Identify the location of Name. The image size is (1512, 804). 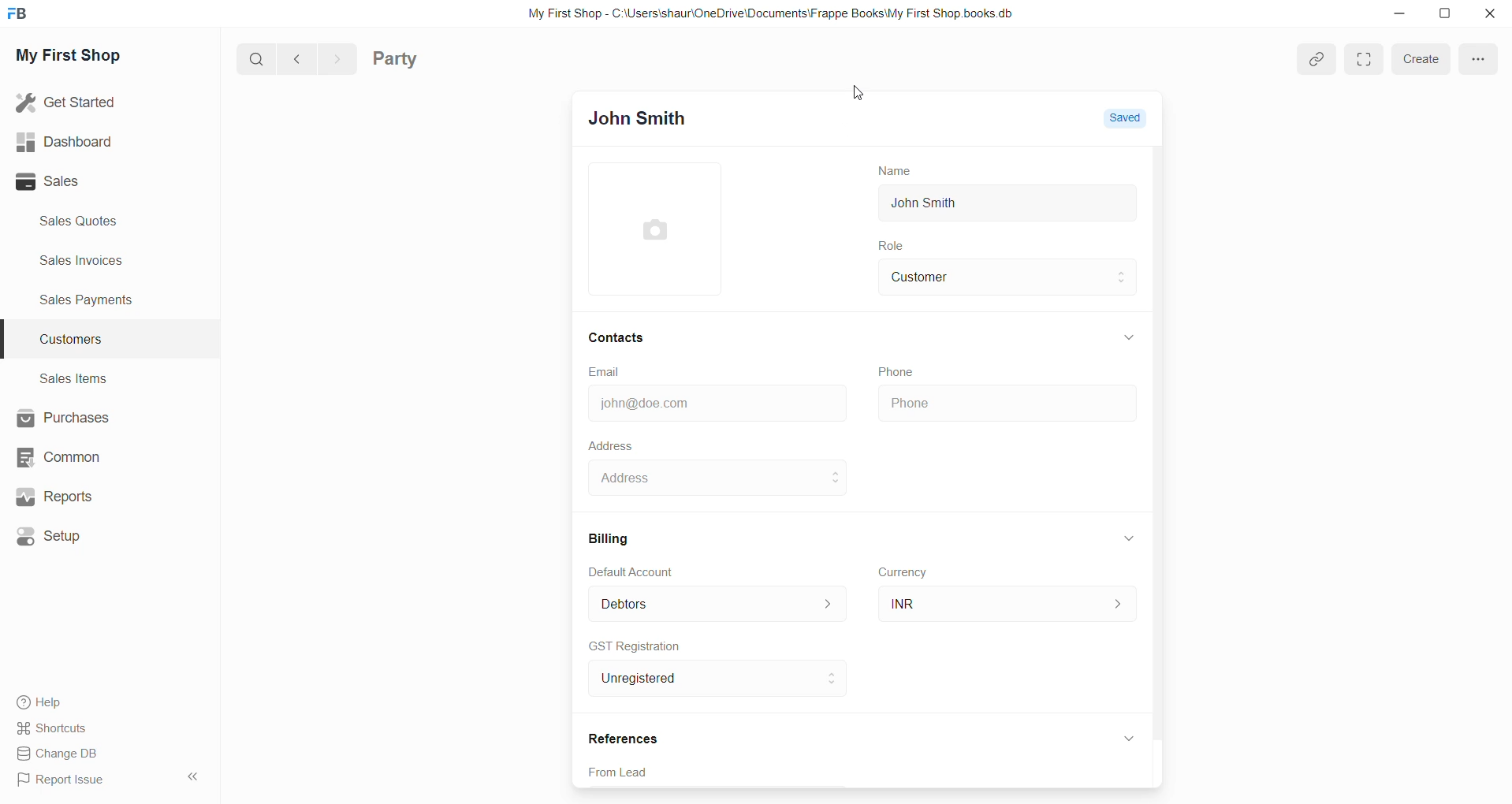
(888, 169).